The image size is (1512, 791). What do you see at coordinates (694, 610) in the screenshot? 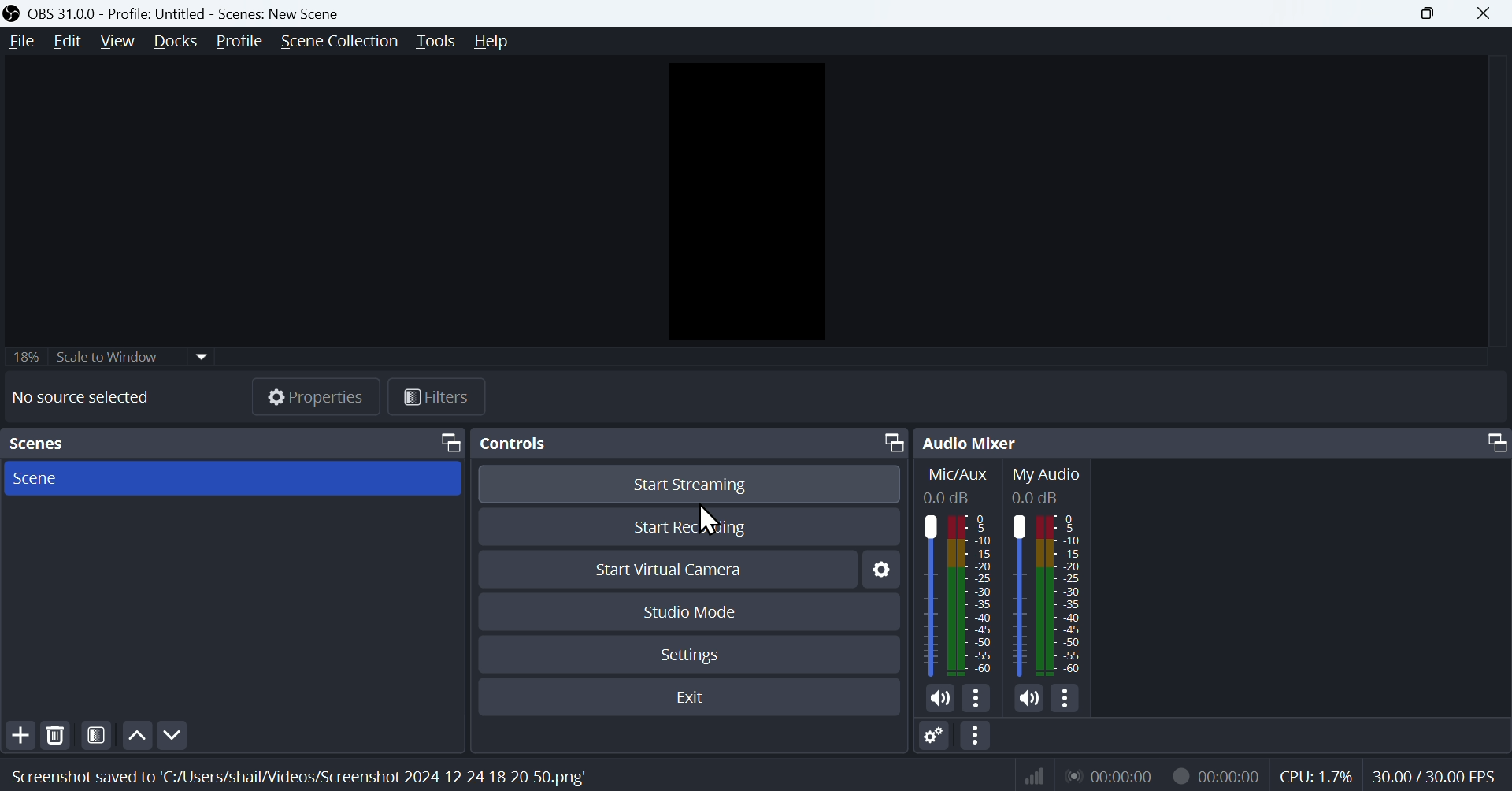
I see `Studio Mode` at bounding box center [694, 610].